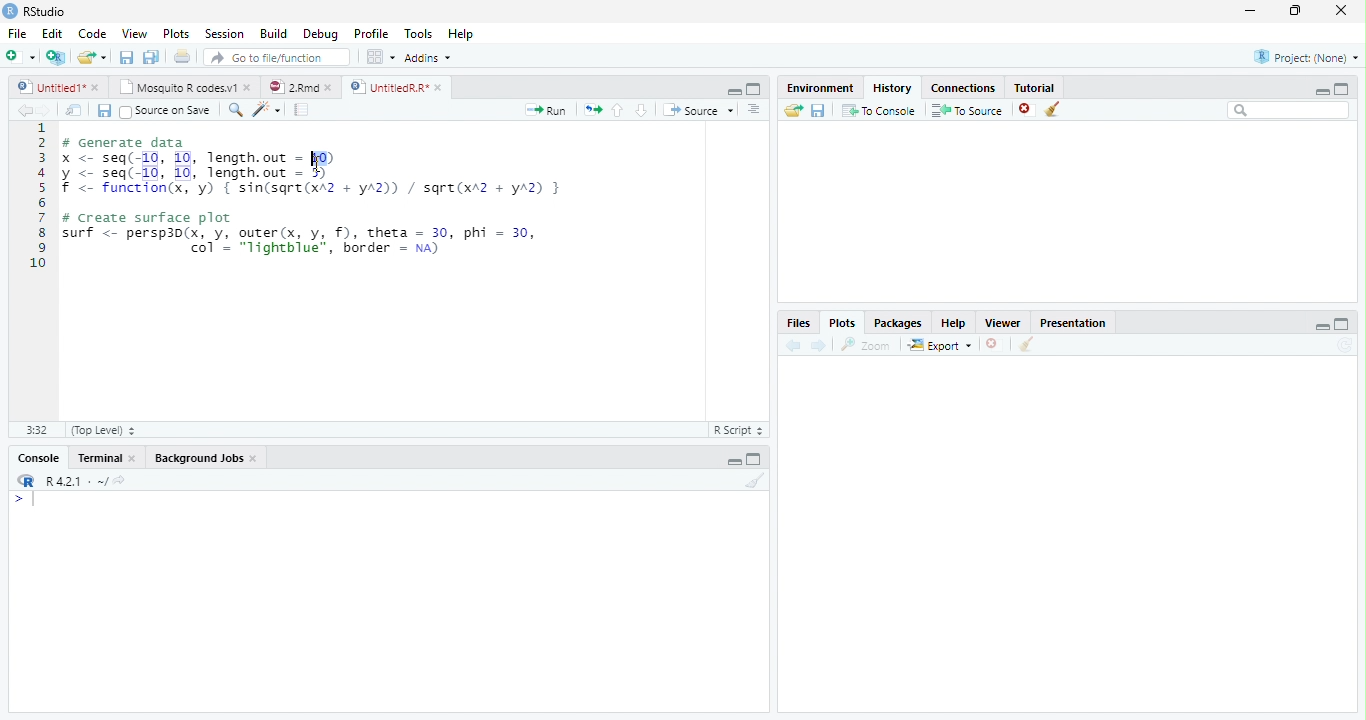 The image size is (1366, 720). Describe the element at coordinates (1322, 91) in the screenshot. I see `minimize` at that location.